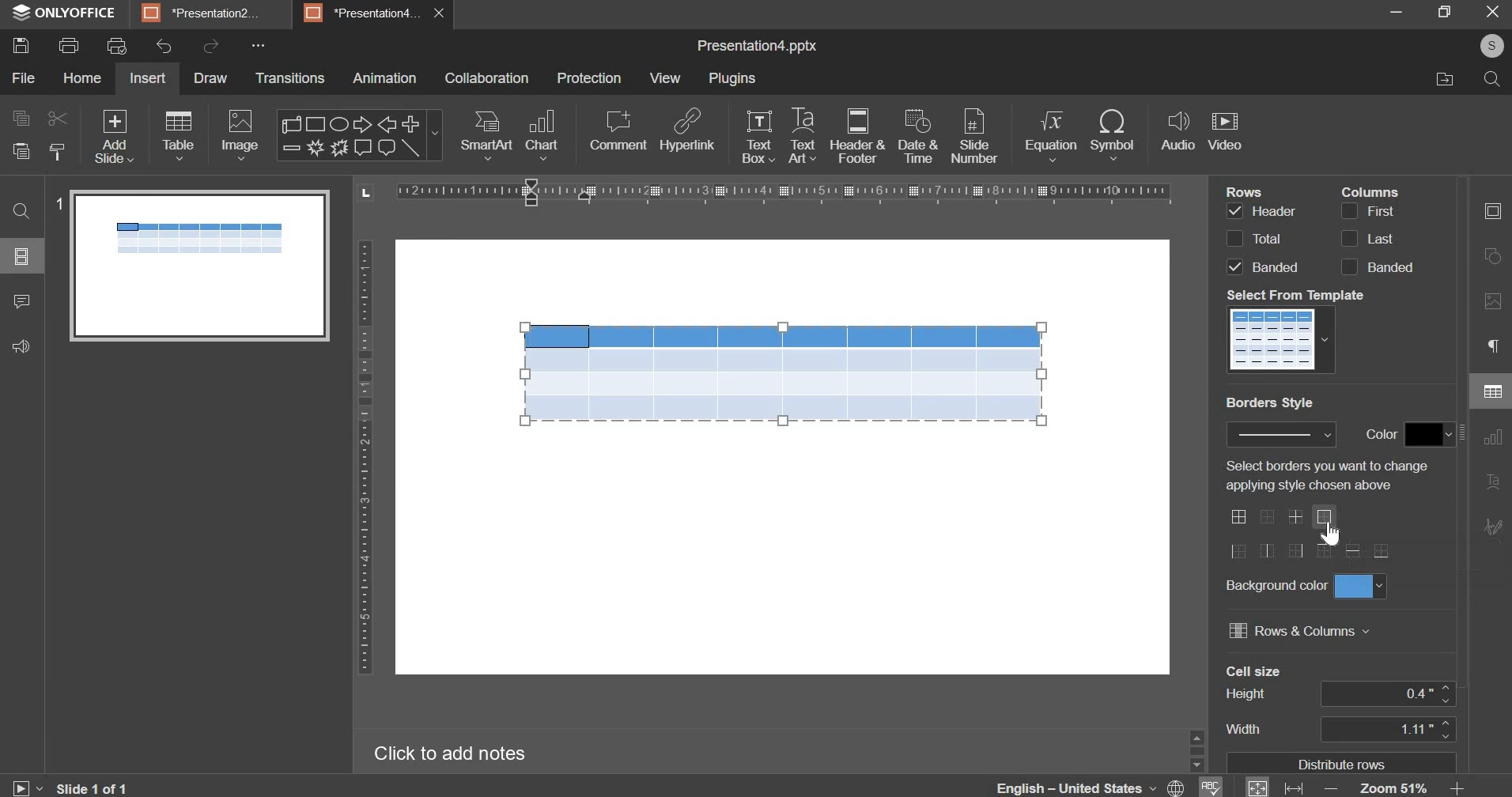 The height and width of the screenshot is (797, 1512). What do you see at coordinates (198, 266) in the screenshot?
I see `slide preview` at bounding box center [198, 266].